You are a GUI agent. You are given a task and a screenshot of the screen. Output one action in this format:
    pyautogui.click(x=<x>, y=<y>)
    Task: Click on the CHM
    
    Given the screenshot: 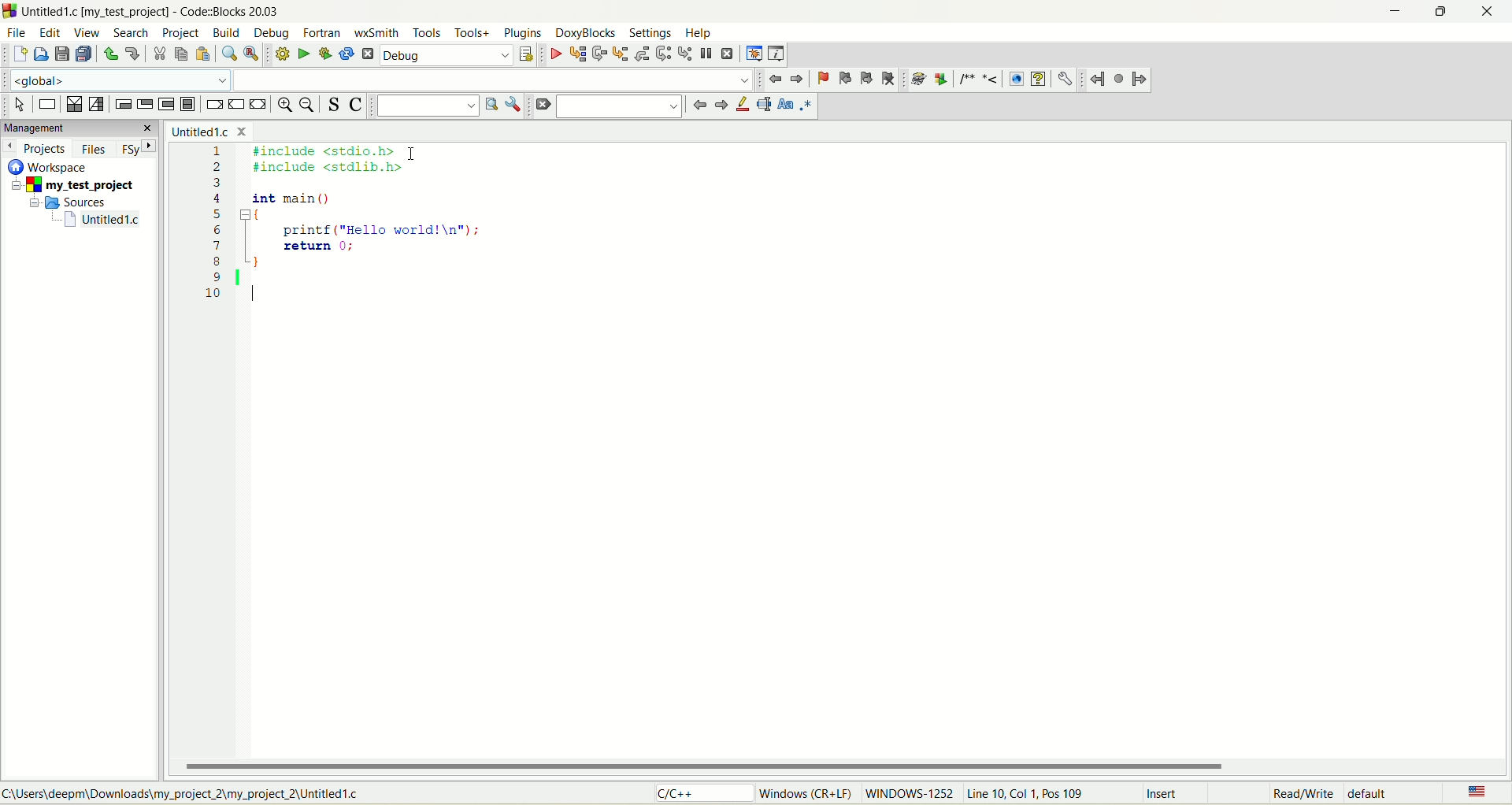 What is the action you would take?
    pyautogui.click(x=1038, y=80)
    